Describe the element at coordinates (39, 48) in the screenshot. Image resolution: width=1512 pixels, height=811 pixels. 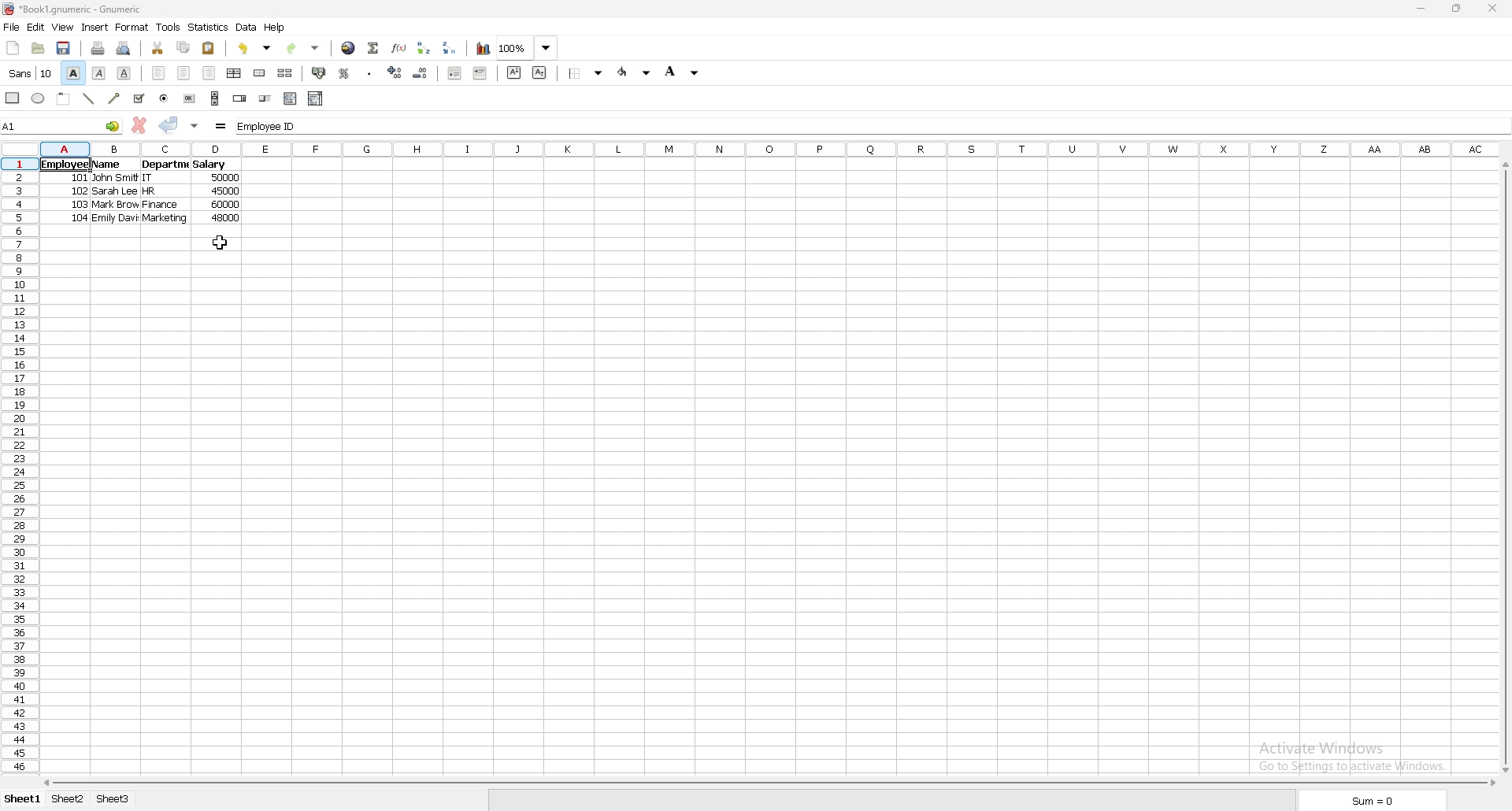
I see `open` at that location.